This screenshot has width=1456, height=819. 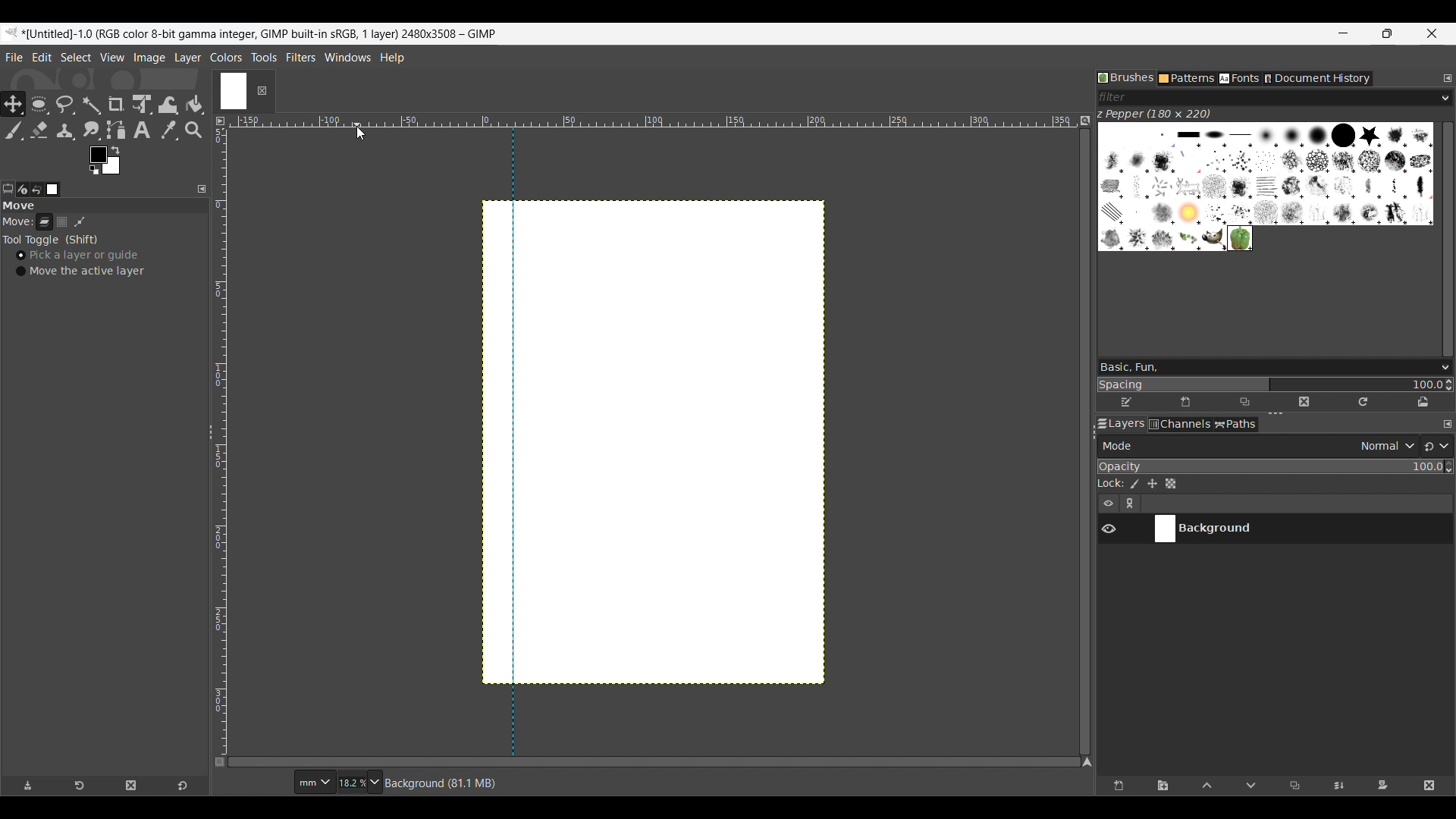 I want to click on Pick a layer or guide, toggle on, so click(x=77, y=256).